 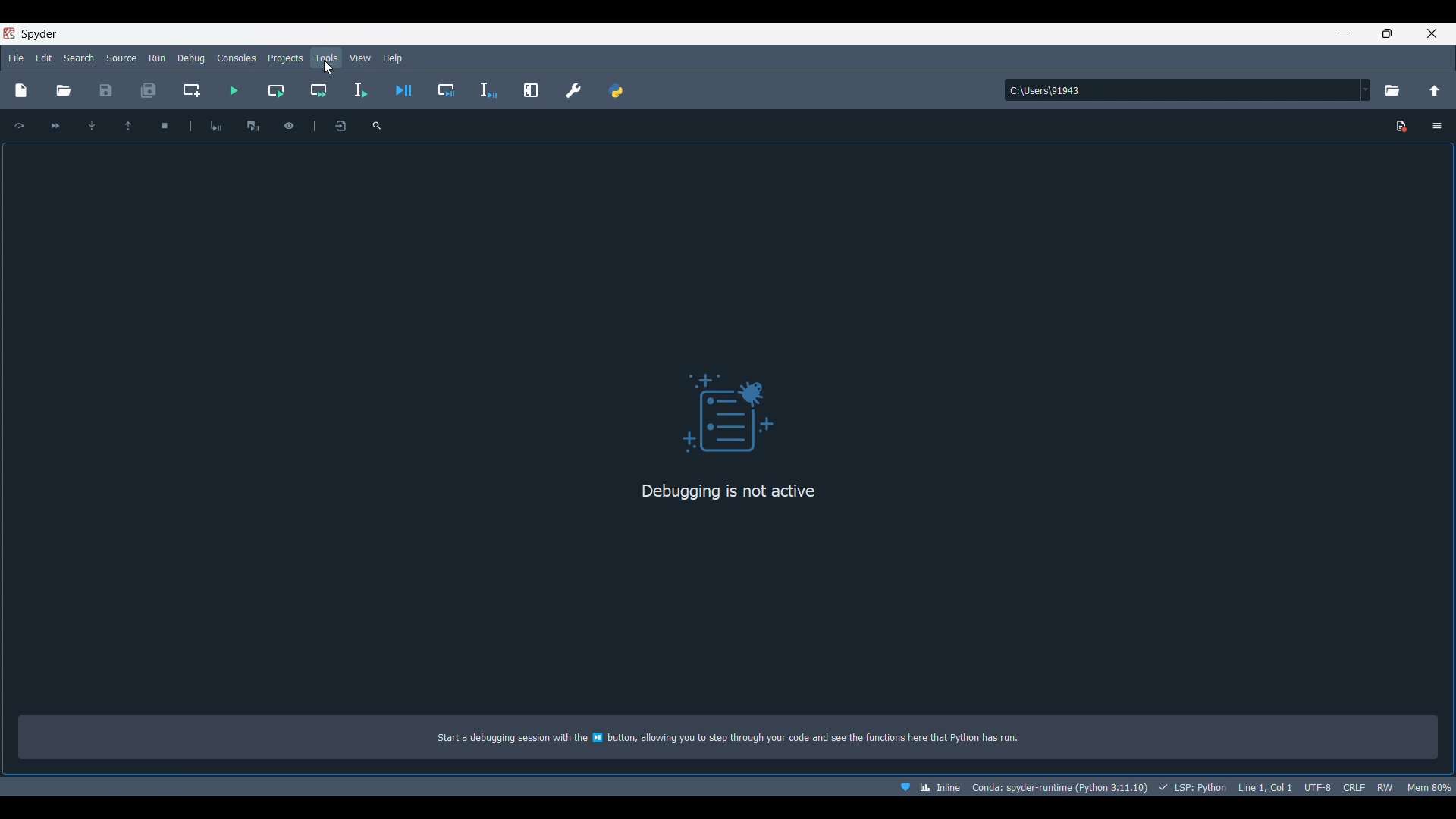 I want to click on Create new cell at current line, so click(x=190, y=90).